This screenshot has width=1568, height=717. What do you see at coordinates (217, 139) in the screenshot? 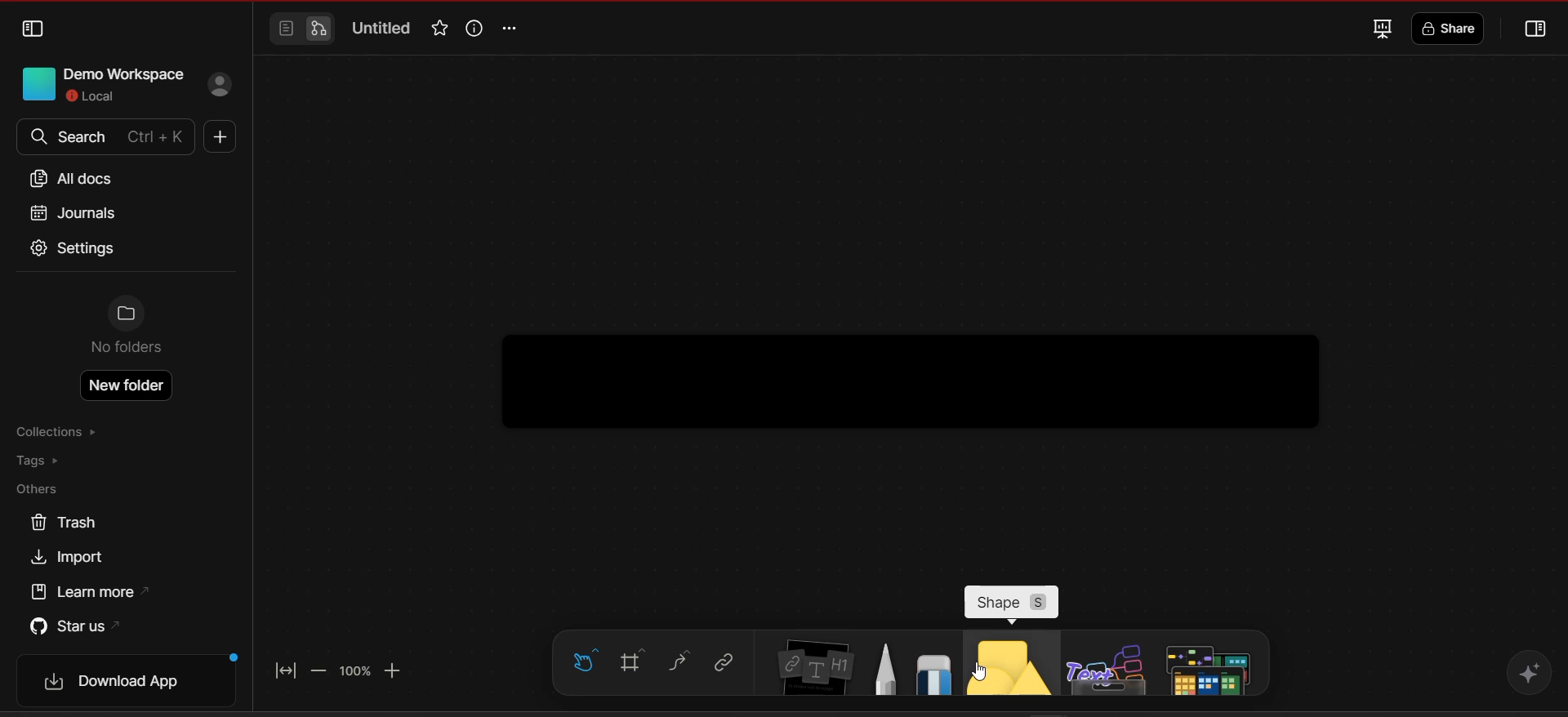
I see `new doc` at bounding box center [217, 139].